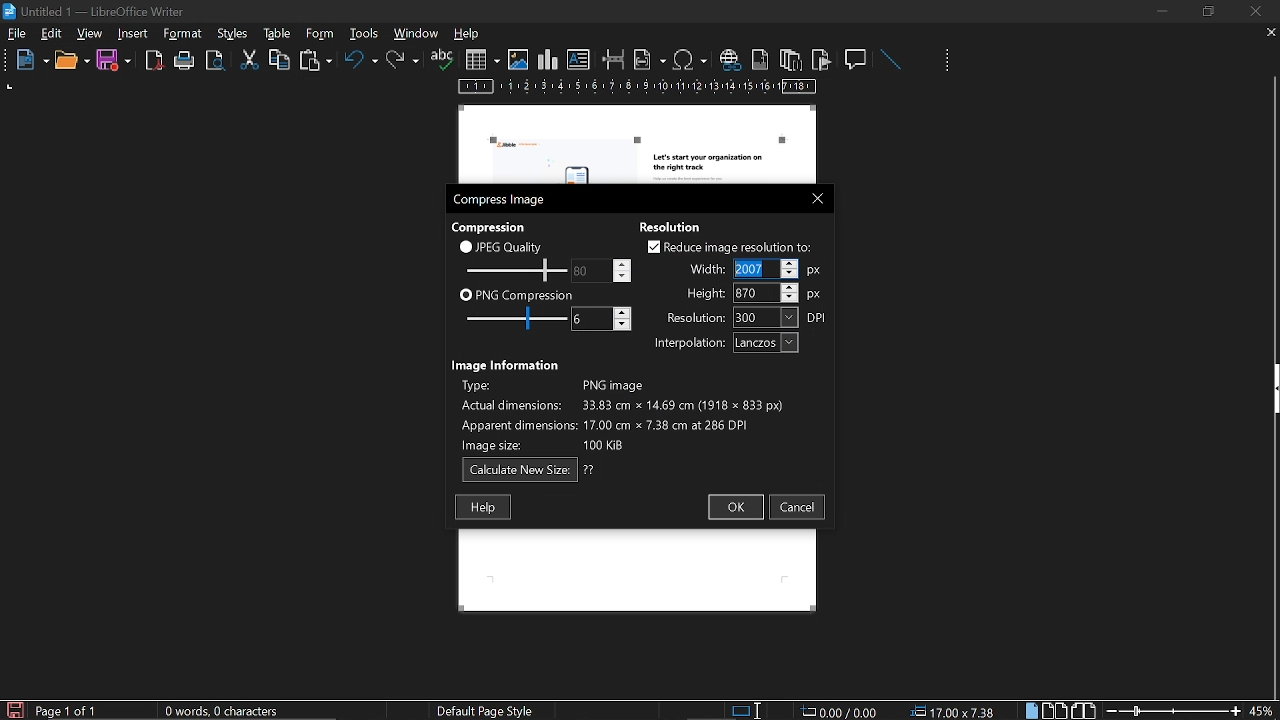 The height and width of the screenshot is (720, 1280). Describe the element at coordinates (1034, 710) in the screenshot. I see `single page view` at that location.